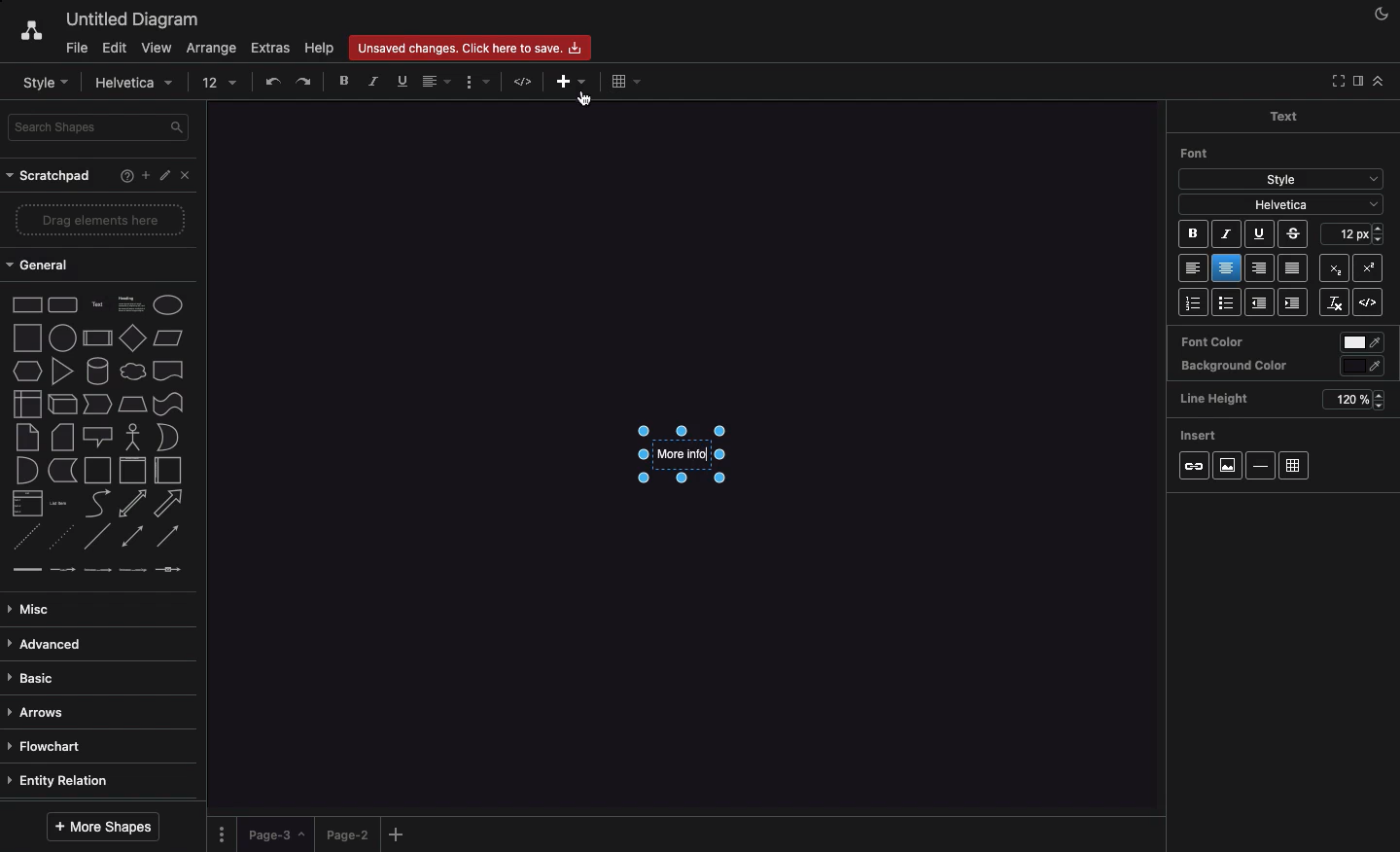  Describe the element at coordinates (126, 19) in the screenshot. I see `Untitled diagram` at that location.